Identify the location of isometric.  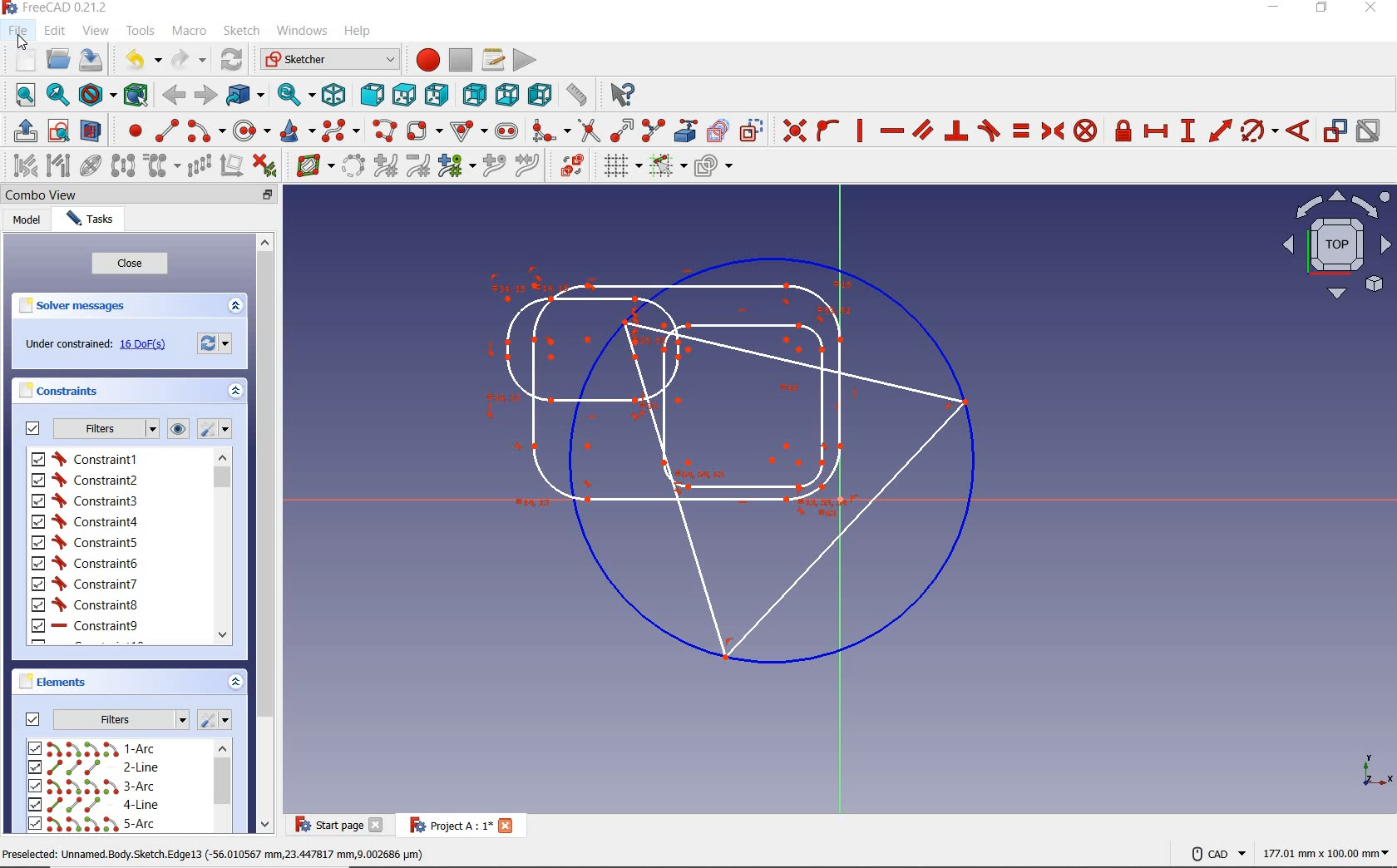
(335, 95).